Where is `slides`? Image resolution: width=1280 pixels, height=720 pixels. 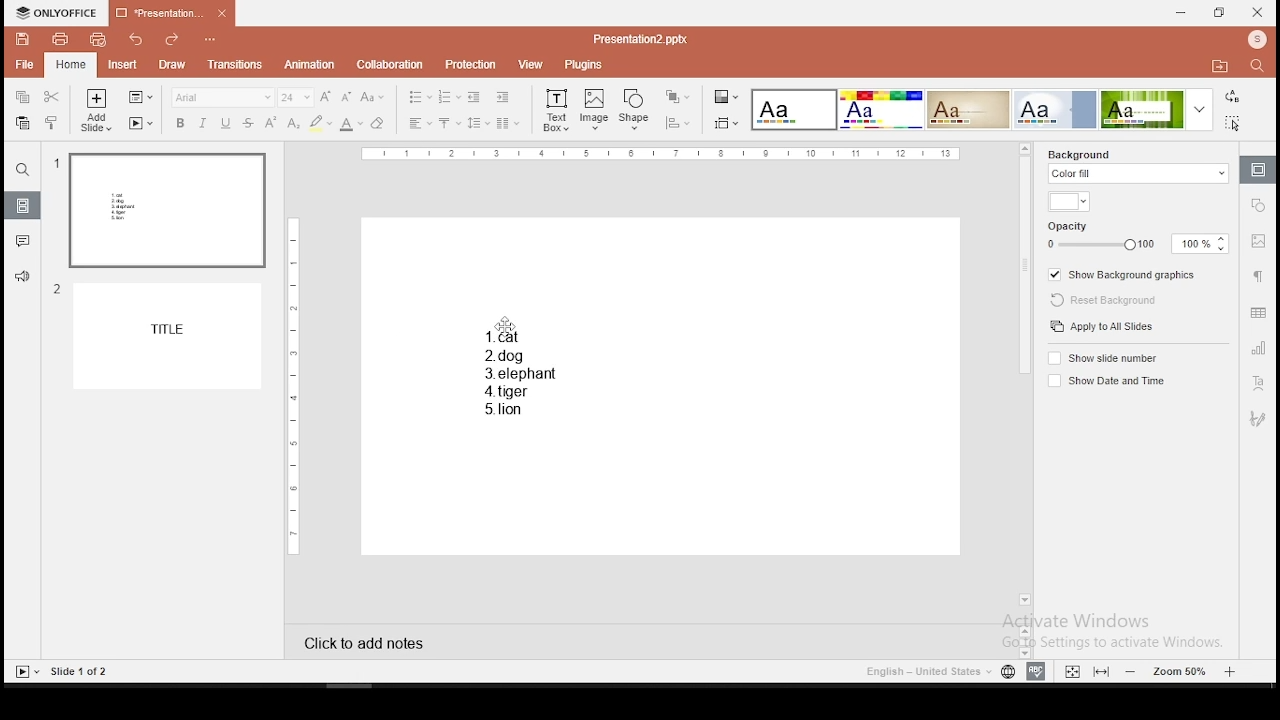
slides is located at coordinates (23, 205).